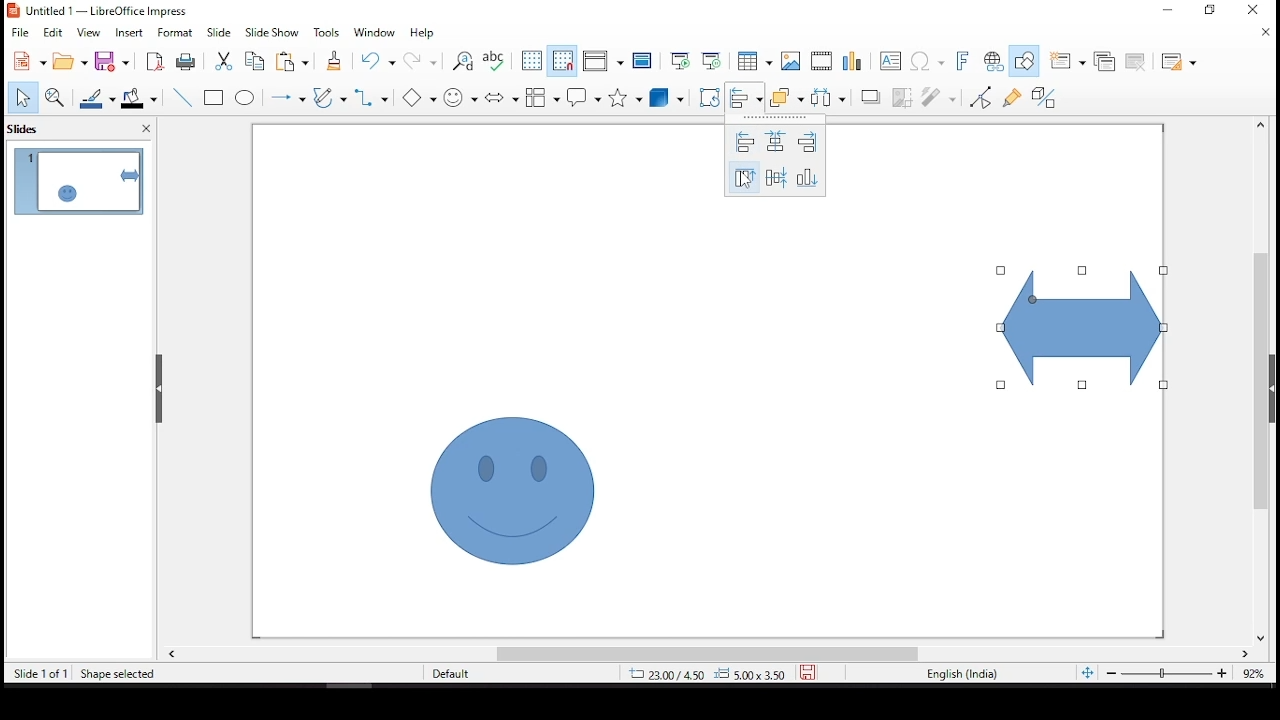 The image size is (1280, 720). Describe the element at coordinates (330, 99) in the screenshot. I see `curves and polygons` at that location.